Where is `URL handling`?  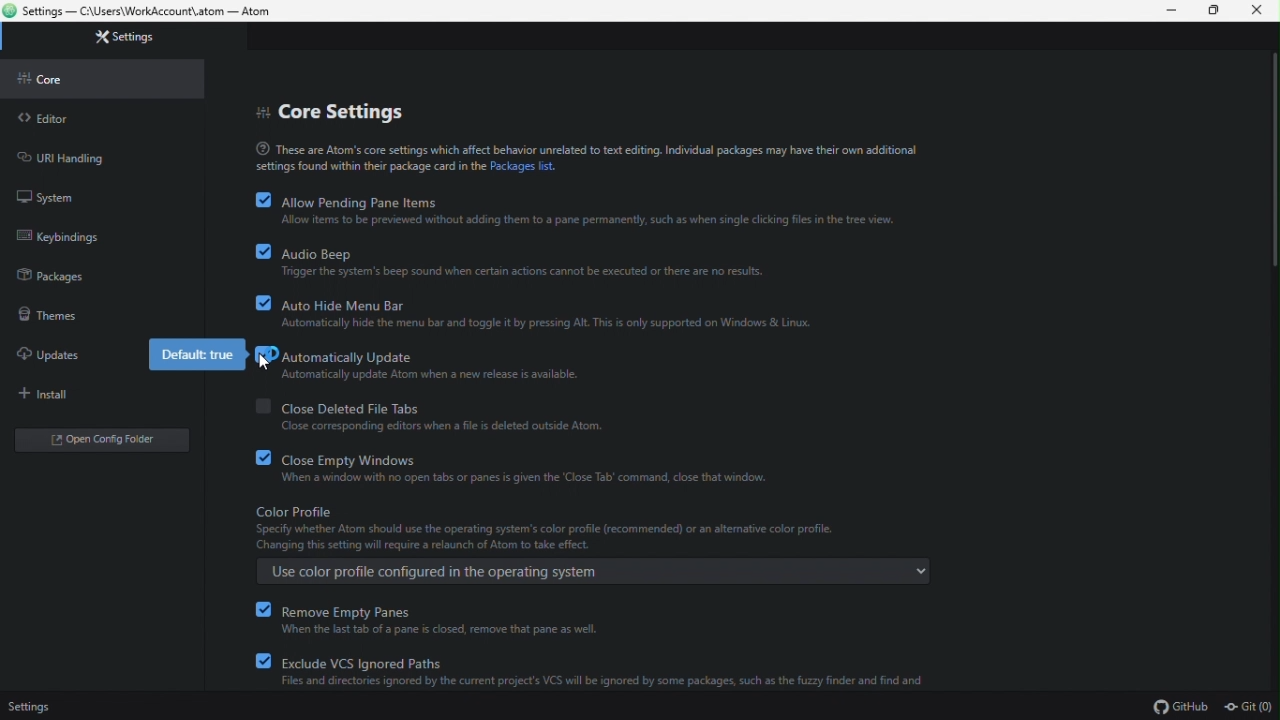 URL handling is located at coordinates (62, 157).